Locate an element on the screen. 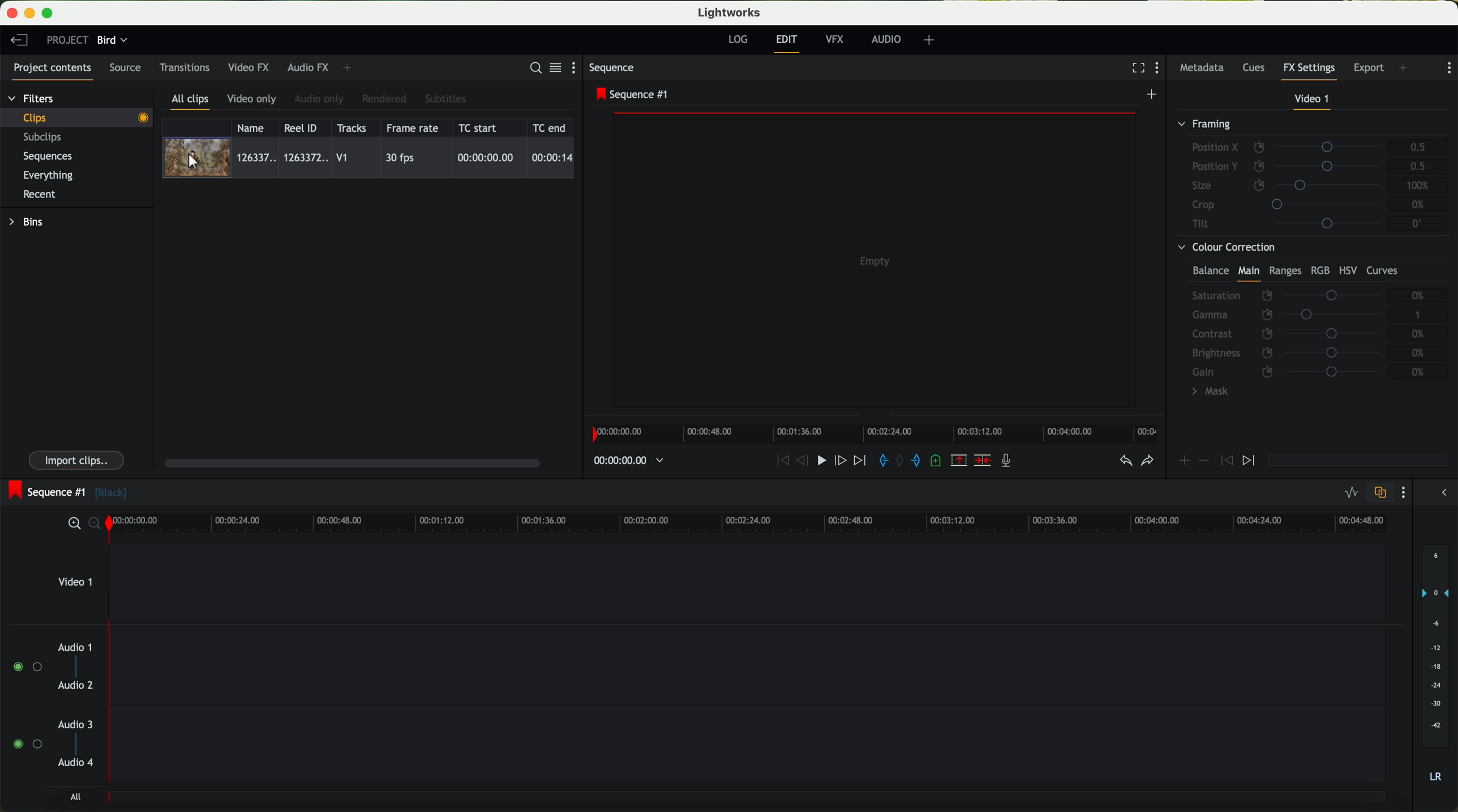 The width and height of the screenshot is (1458, 812). clear marks is located at coordinates (900, 461).